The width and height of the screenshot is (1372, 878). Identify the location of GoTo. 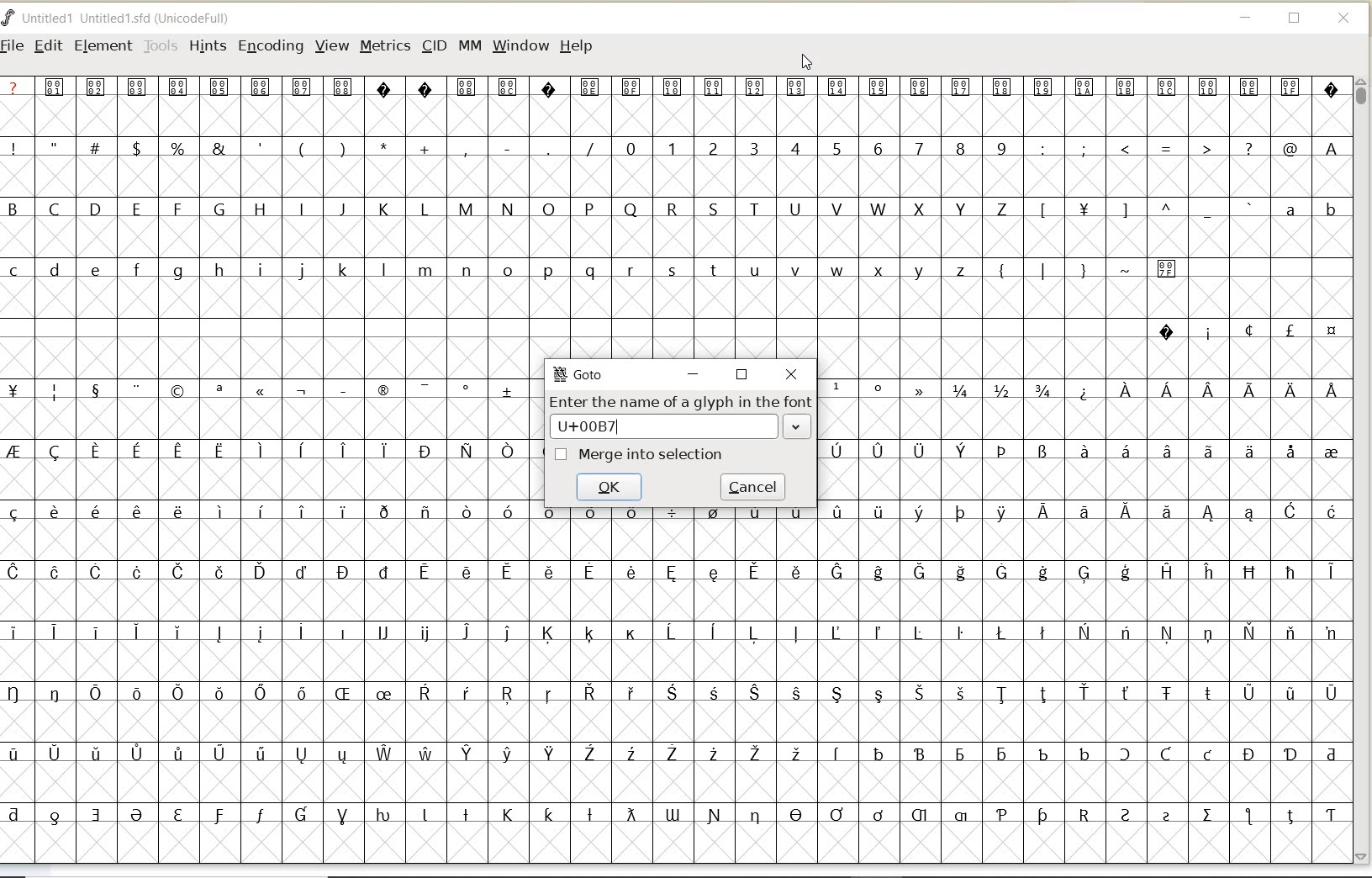
(578, 374).